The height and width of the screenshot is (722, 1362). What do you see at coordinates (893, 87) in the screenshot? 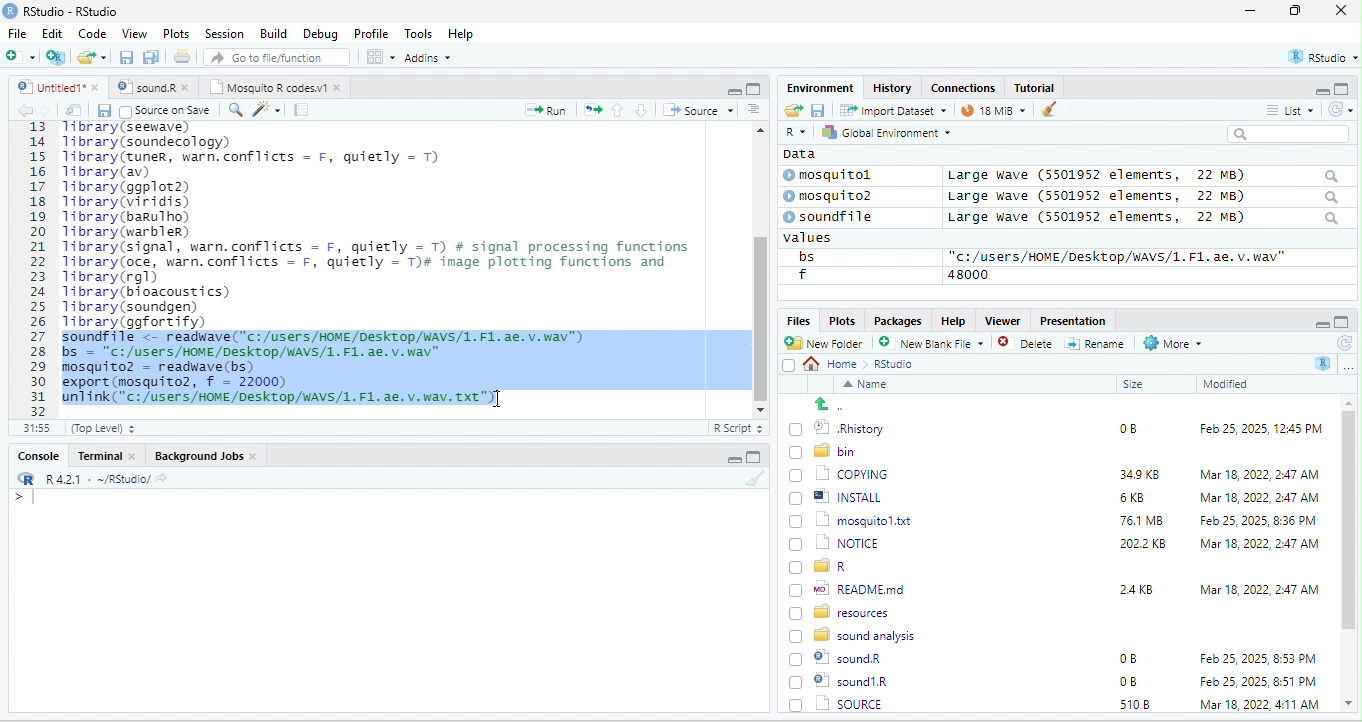
I see `History` at bounding box center [893, 87].